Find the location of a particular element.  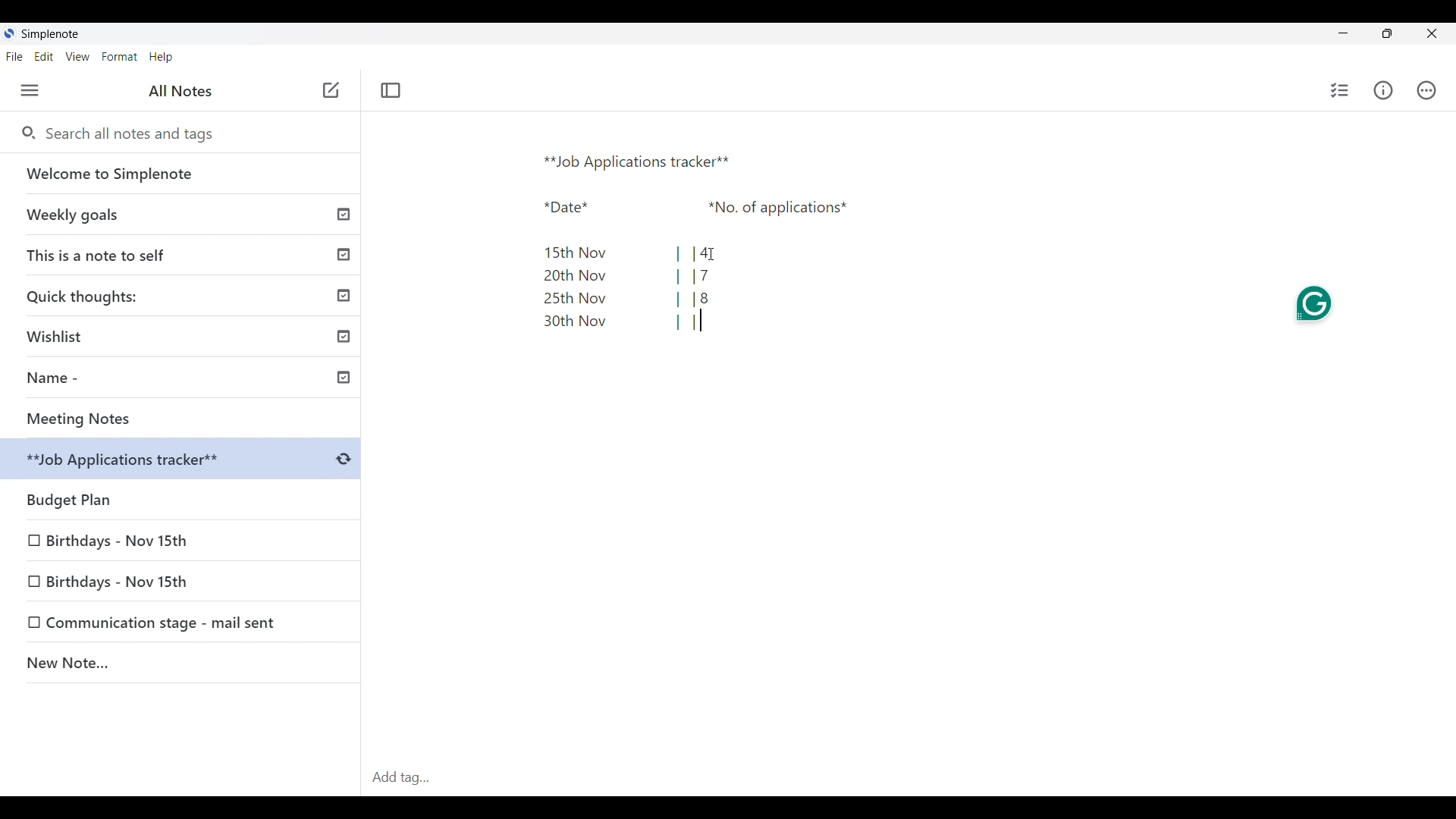

Text cursor is located at coordinates (701, 320).